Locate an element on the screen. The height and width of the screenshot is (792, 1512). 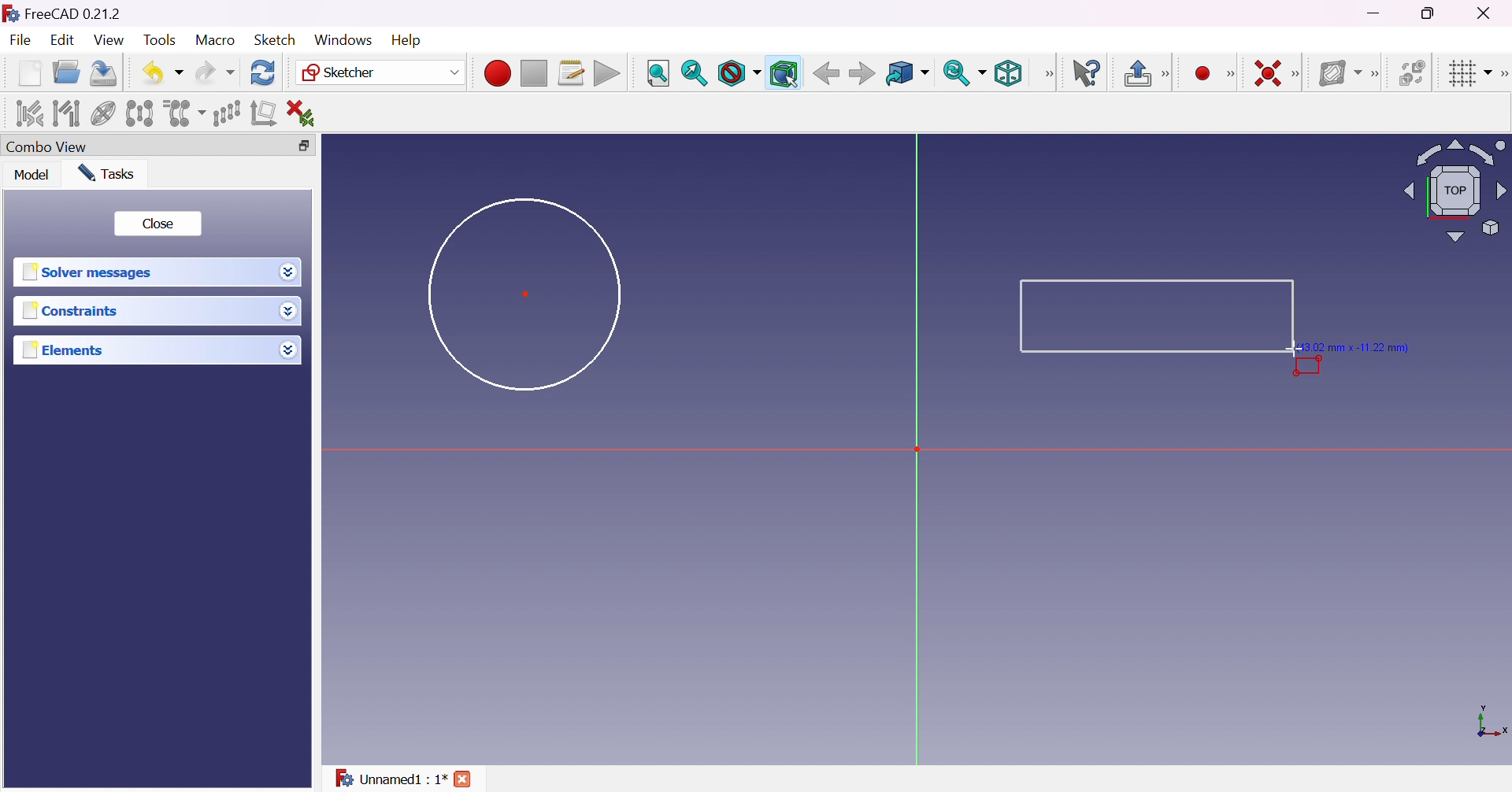
Bounding box is located at coordinates (785, 74).